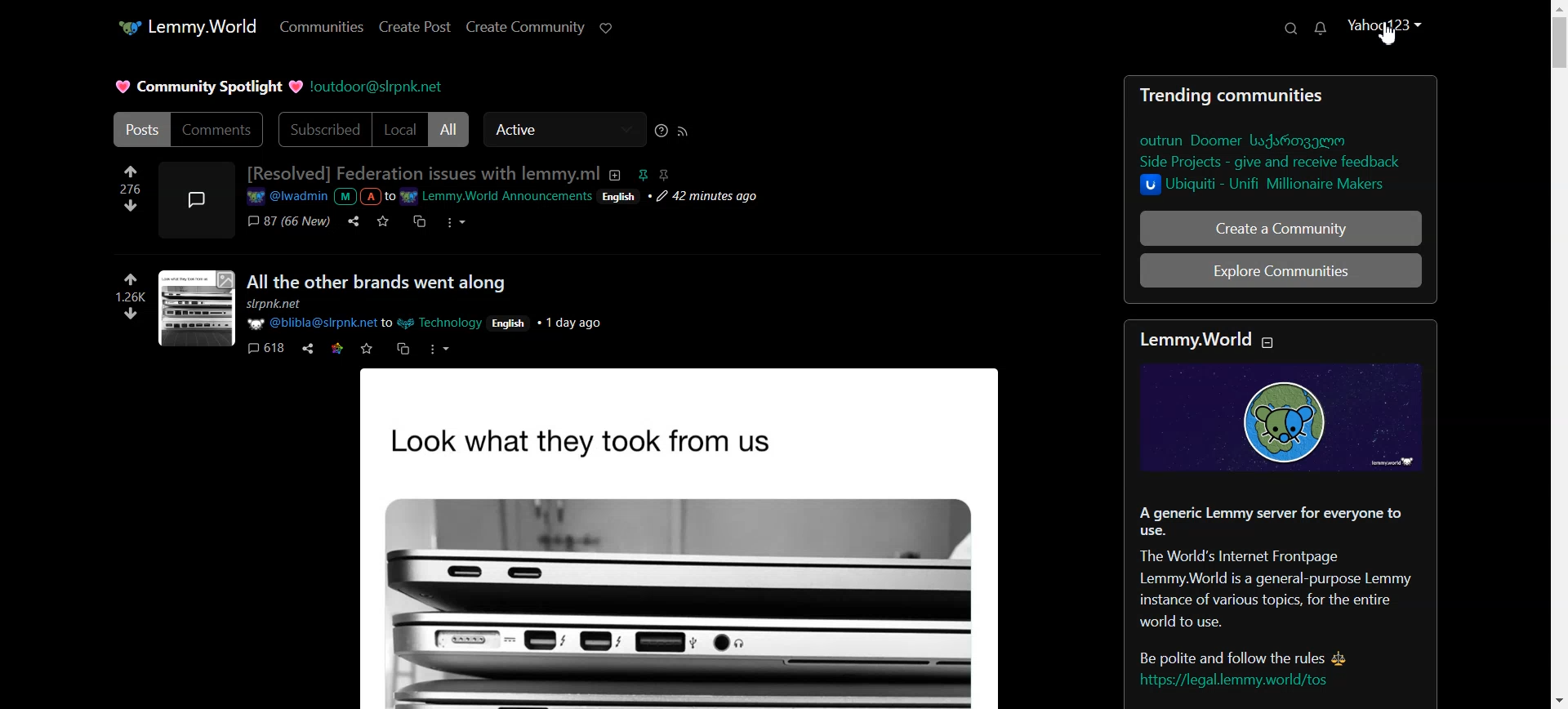 The image size is (1568, 709). Describe the element at coordinates (140, 128) in the screenshot. I see `Posts` at that location.